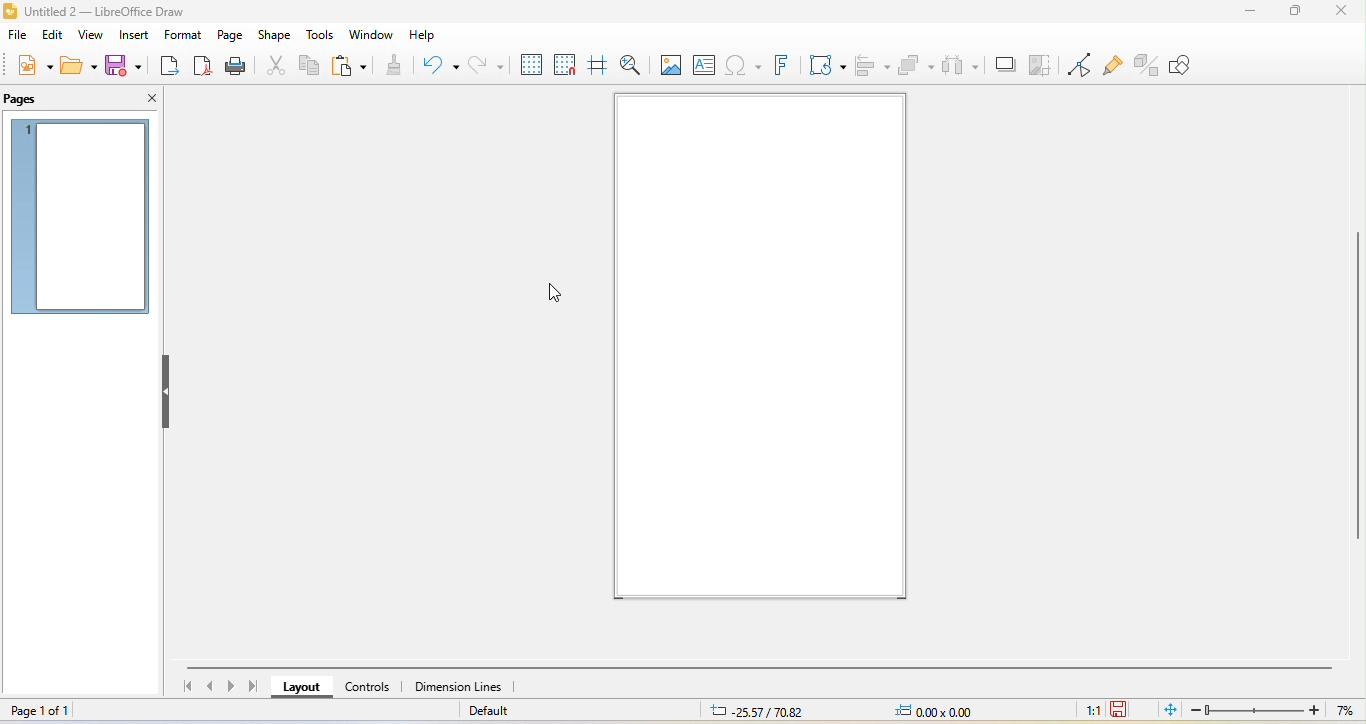 The height and width of the screenshot is (724, 1366). What do you see at coordinates (395, 65) in the screenshot?
I see `clone formatting` at bounding box center [395, 65].